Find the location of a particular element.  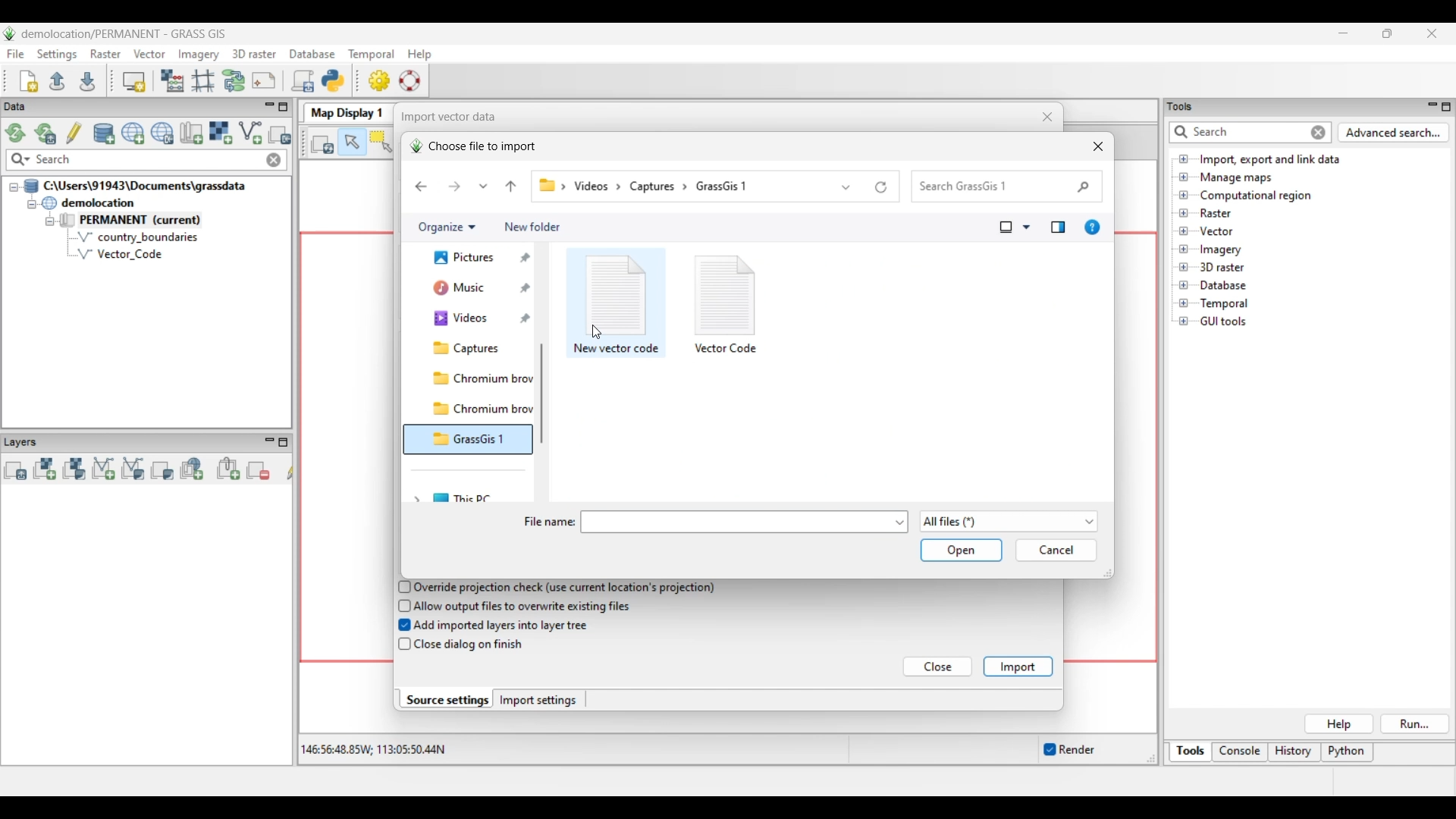

Maximize Tools panel is located at coordinates (1446, 107).